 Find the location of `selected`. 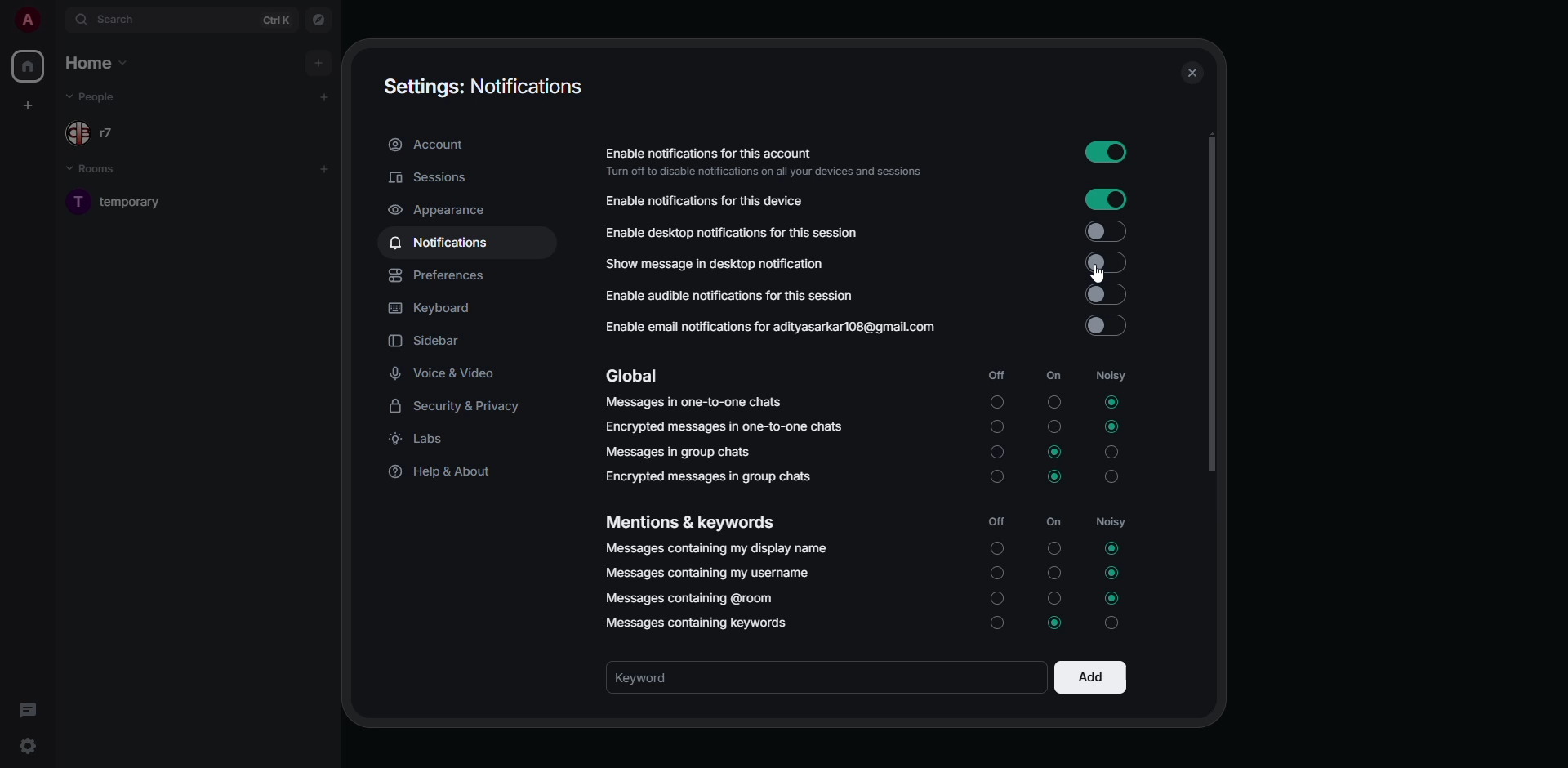

selected is located at coordinates (1110, 599).